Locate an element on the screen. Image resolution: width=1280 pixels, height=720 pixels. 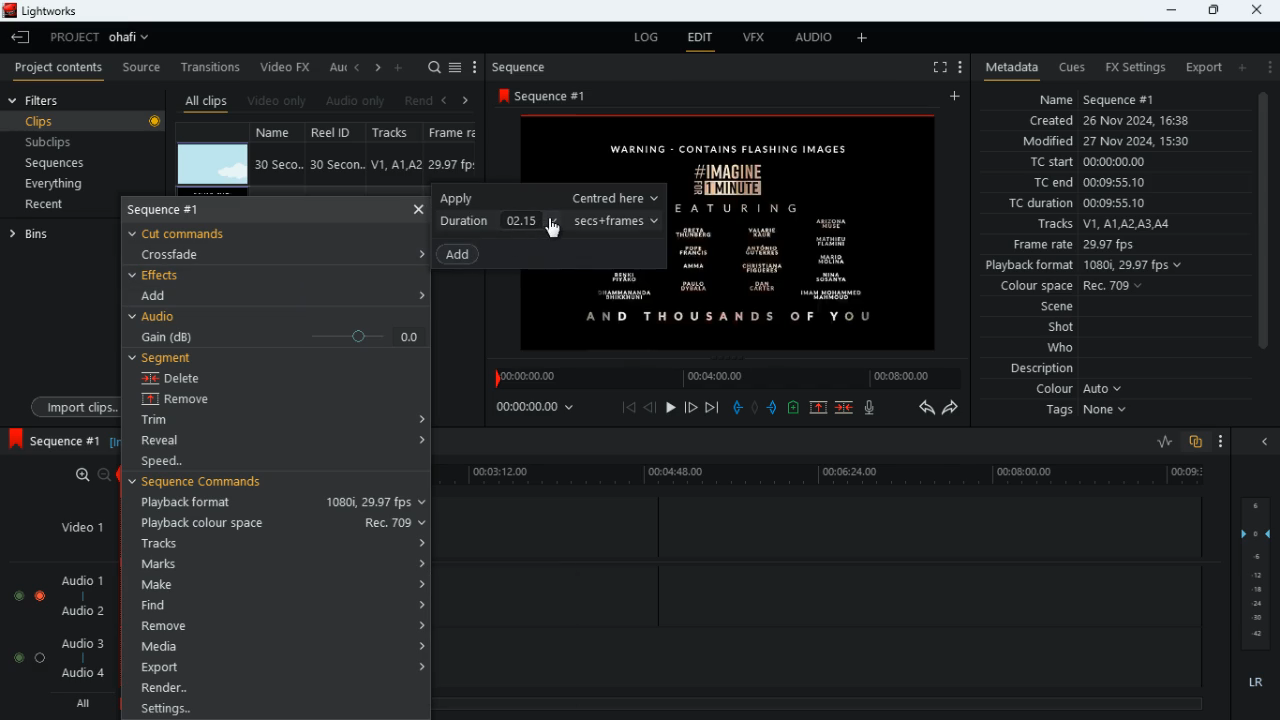
pull is located at coordinates (737, 407).